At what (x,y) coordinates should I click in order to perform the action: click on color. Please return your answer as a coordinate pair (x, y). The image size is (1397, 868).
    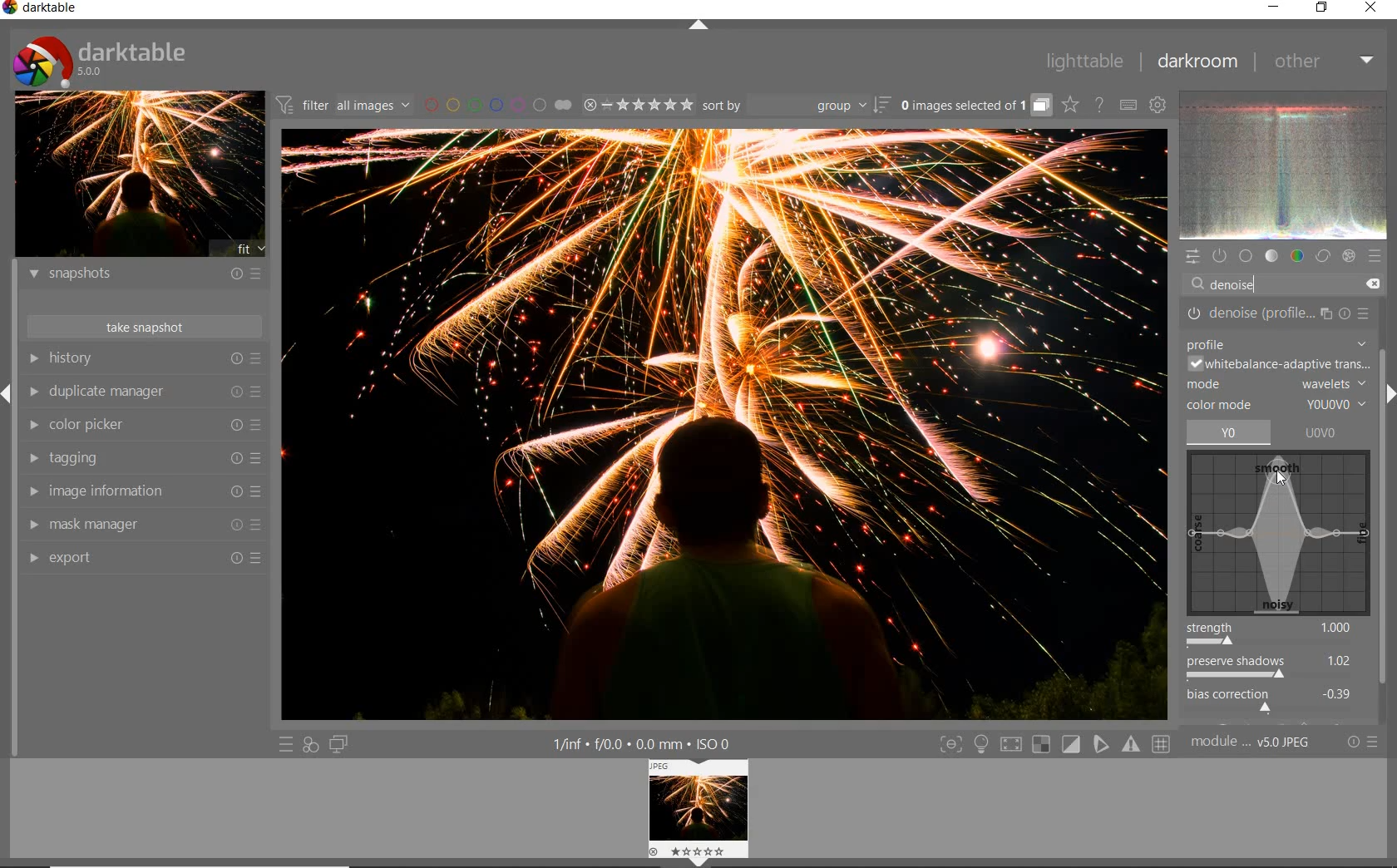
    Looking at the image, I should click on (1298, 256).